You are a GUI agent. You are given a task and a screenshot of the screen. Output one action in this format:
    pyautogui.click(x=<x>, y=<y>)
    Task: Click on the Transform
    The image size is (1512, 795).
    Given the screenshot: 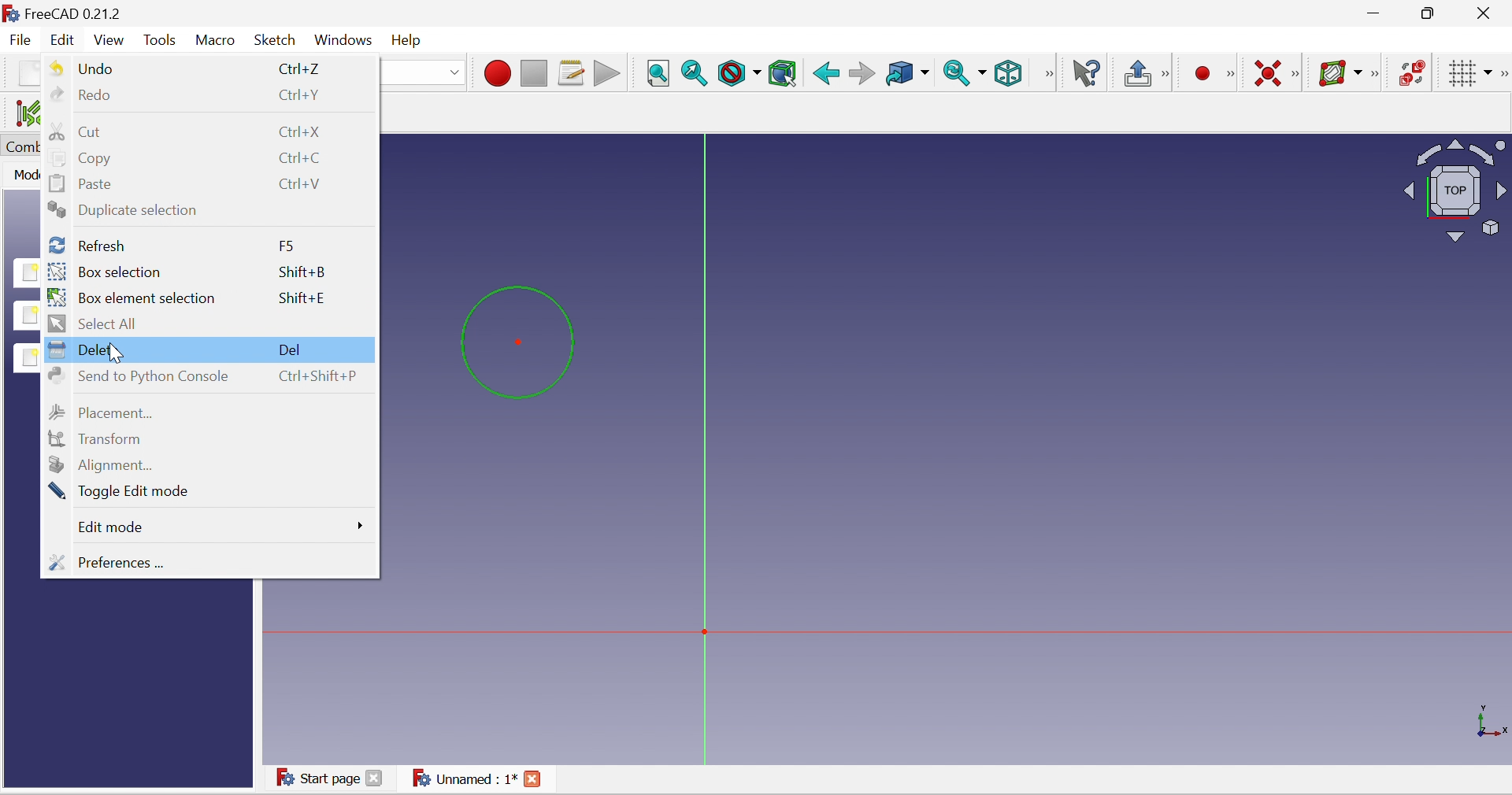 What is the action you would take?
    pyautogui.click(x=94, y=438)
    